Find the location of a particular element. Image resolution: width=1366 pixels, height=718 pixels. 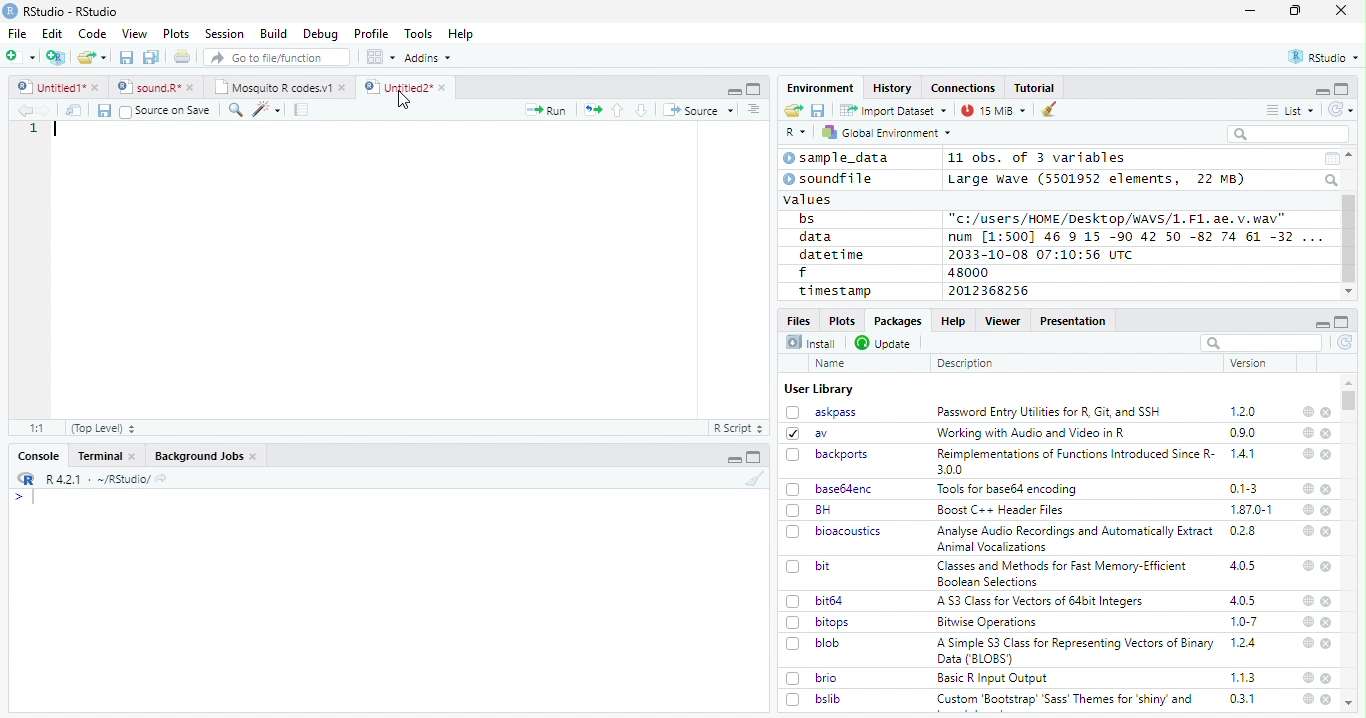

4.0.5 is located at coordinates (1242, 566).